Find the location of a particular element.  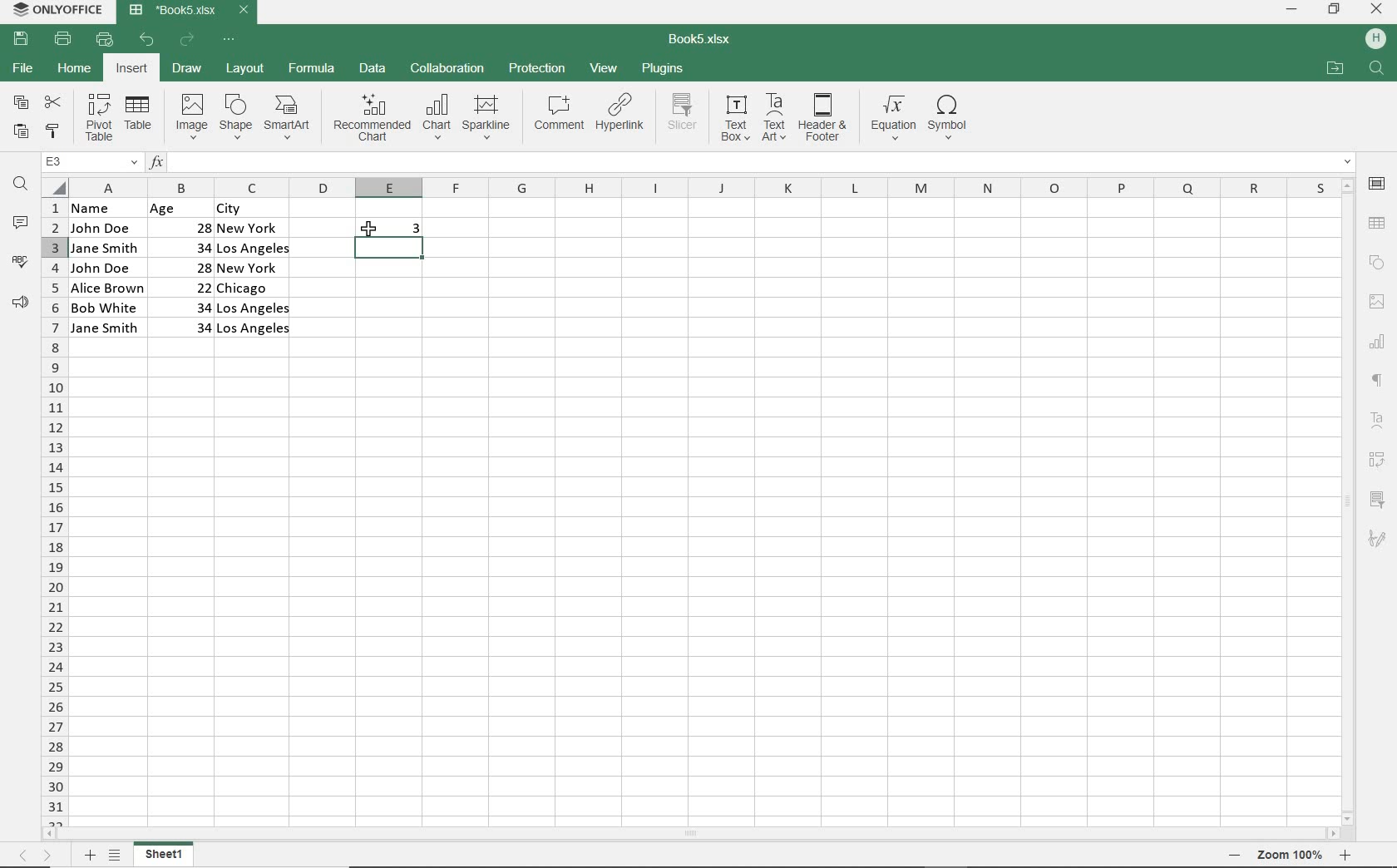

SHAPE is located at coordinates (1380, 264).